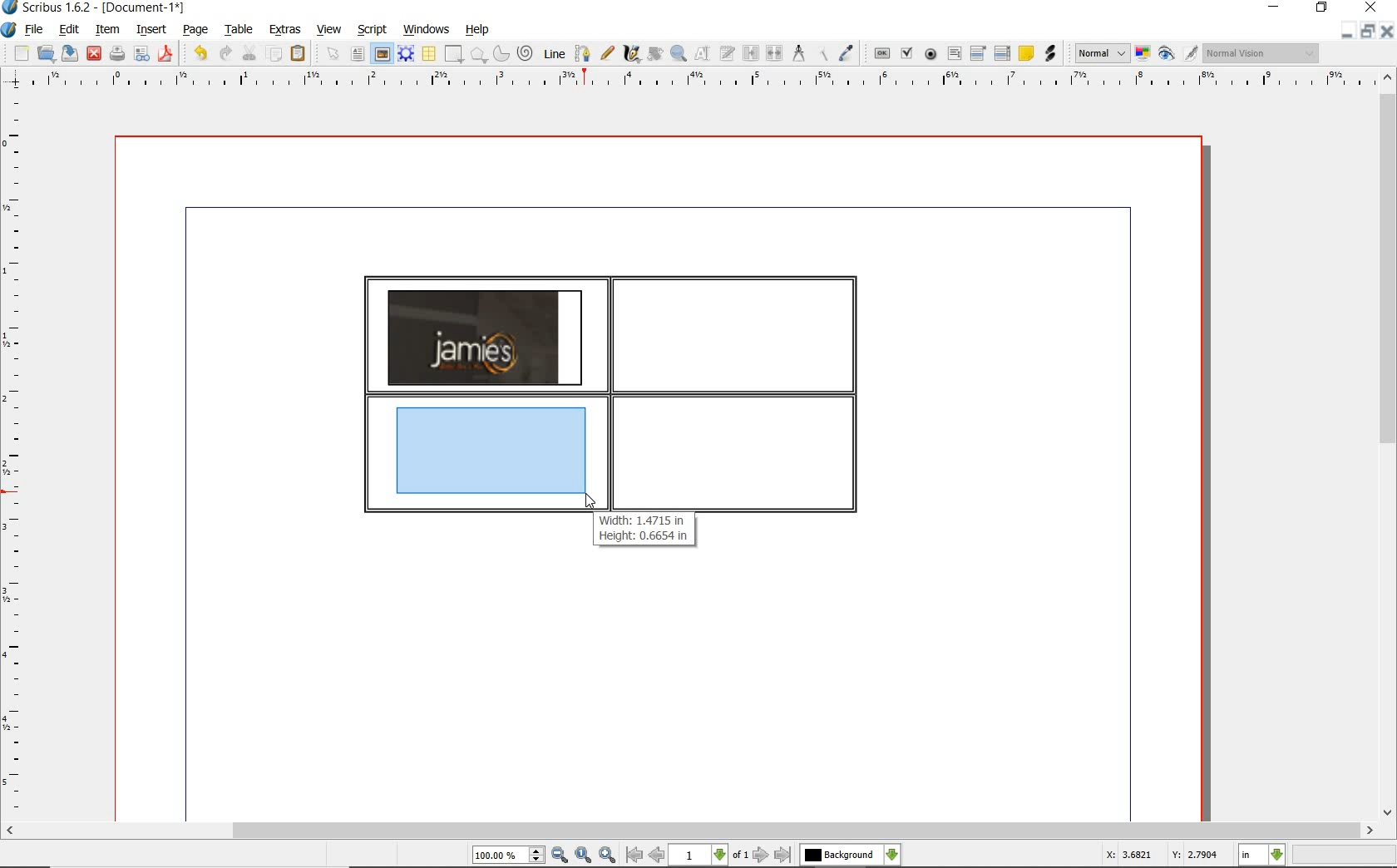 This screenshot has height=868, width=1397. I want to click on close, so click(1386, 32).